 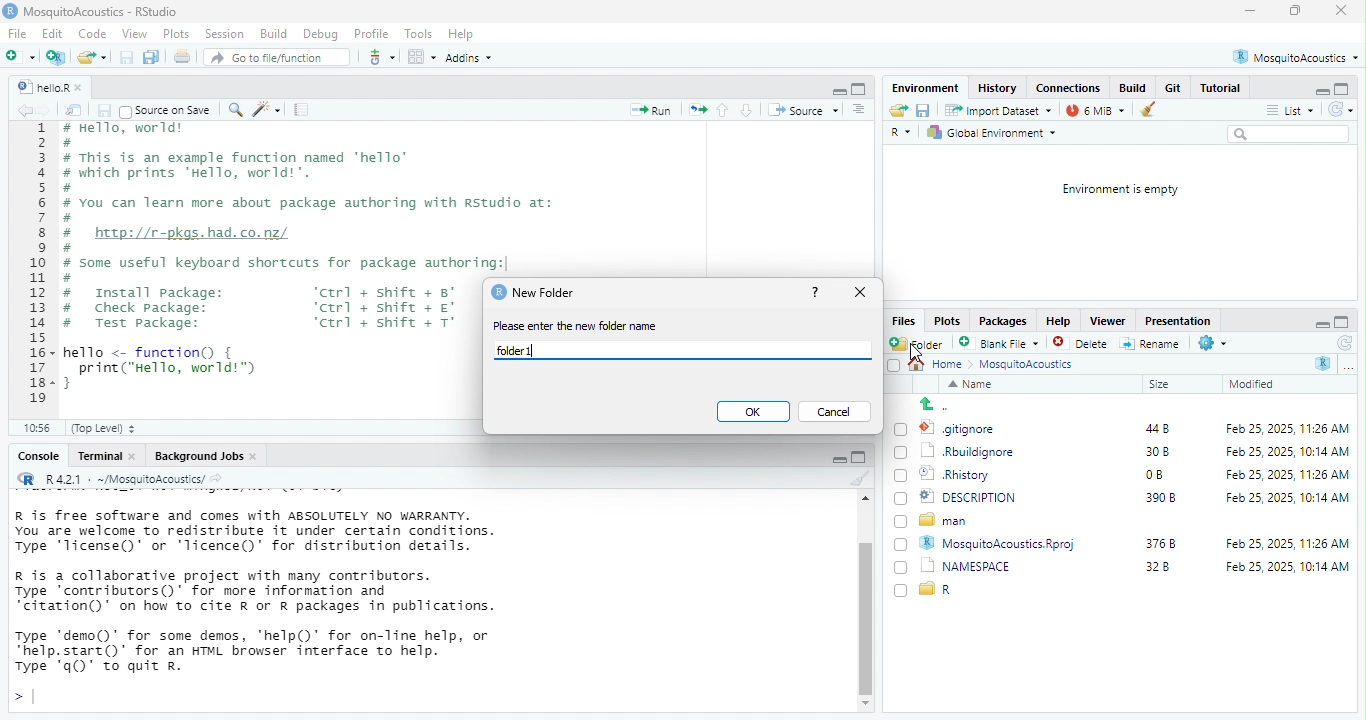 What do you see at coordinates (1005, 543) in the screenshot?
I see ` MosquitoAcoustics.Rproj` at bounding box center [1005, 543].